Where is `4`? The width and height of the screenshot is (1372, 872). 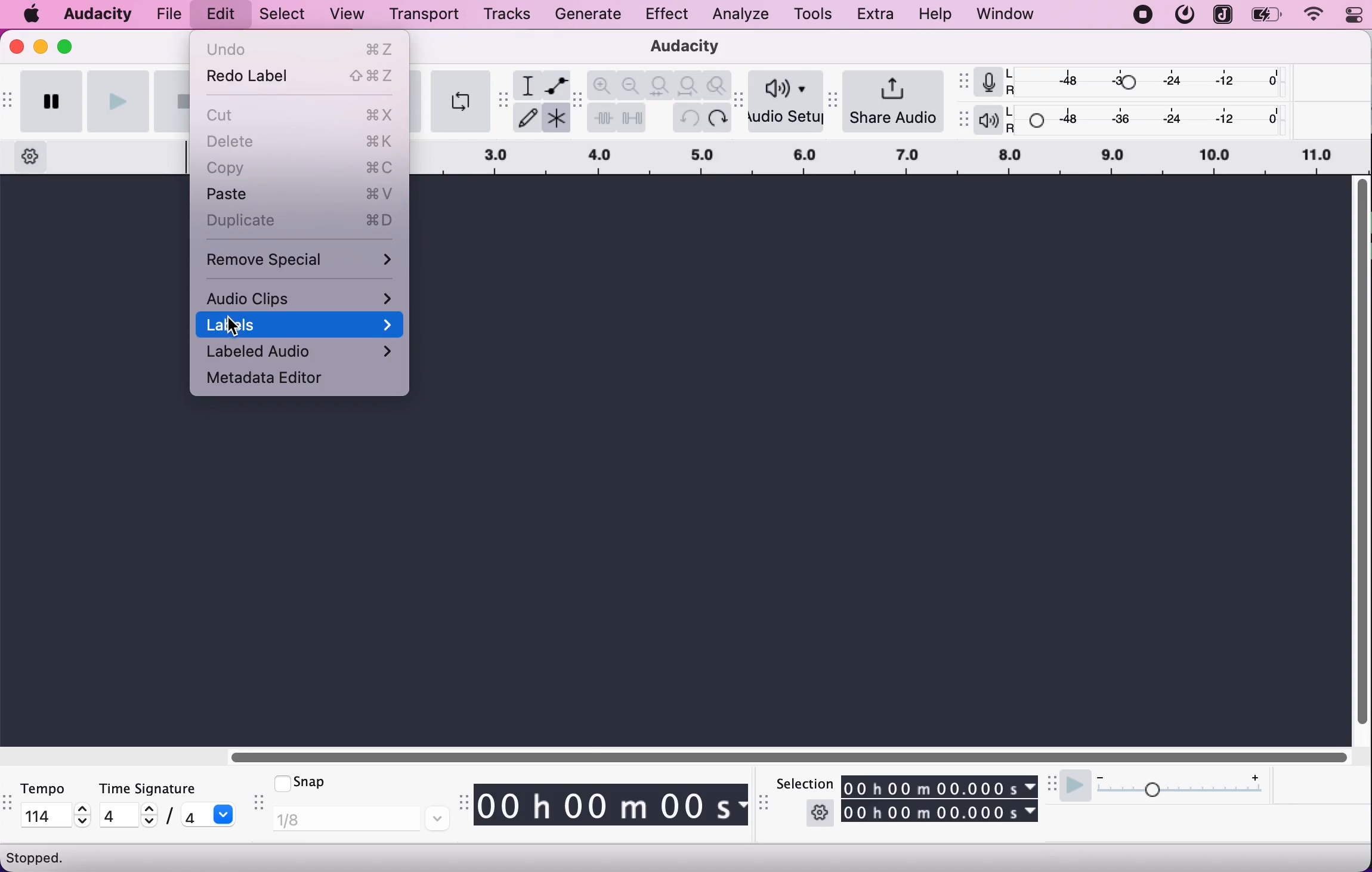
4 is located at coordinates (193, 815).